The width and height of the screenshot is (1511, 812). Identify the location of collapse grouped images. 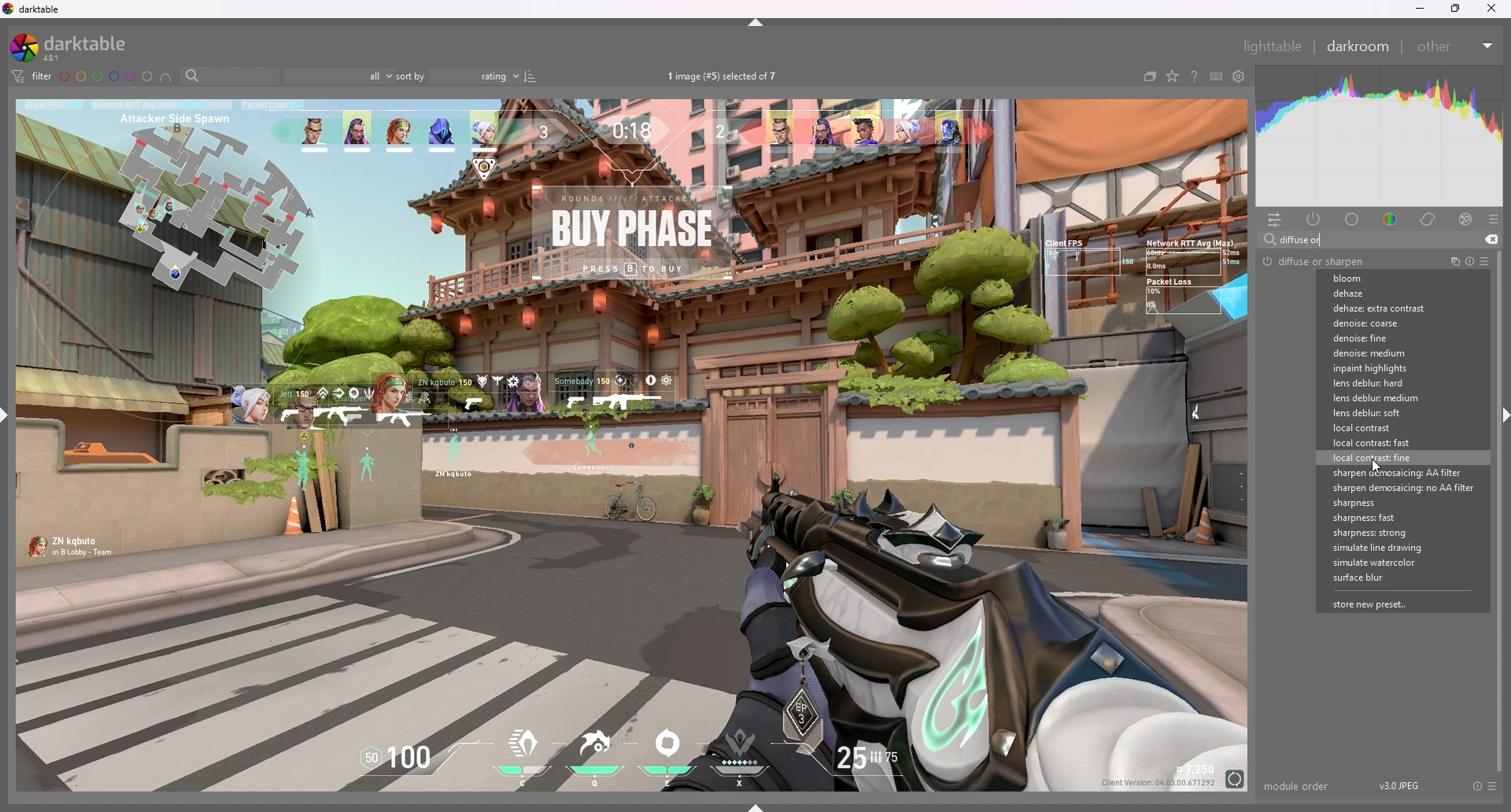
(1150, 76).